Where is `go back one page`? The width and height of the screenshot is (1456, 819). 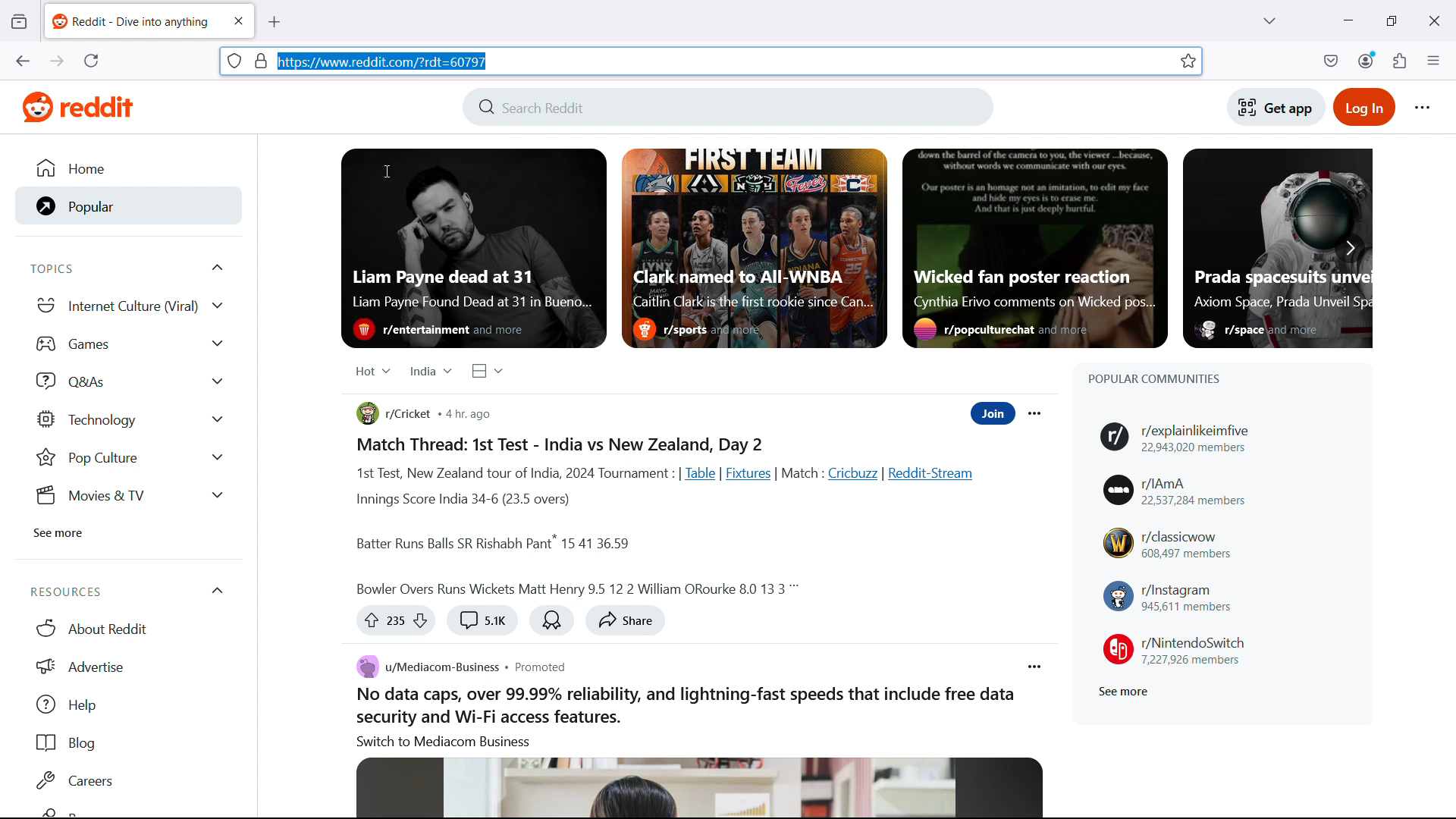
go back one page is located at coordinates (22, 60).